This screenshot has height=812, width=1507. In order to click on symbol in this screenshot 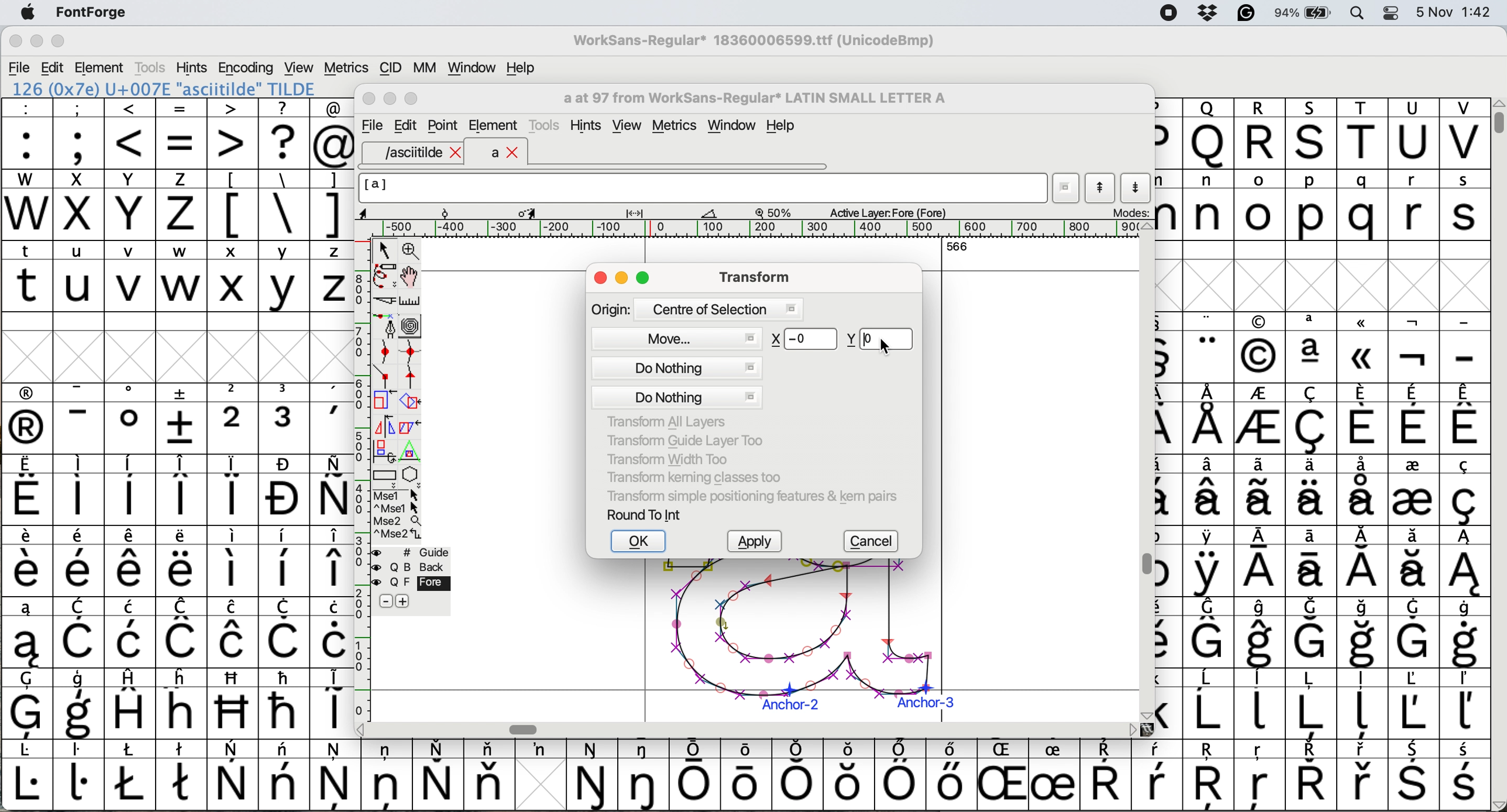, I will do `click(540, 749)`.